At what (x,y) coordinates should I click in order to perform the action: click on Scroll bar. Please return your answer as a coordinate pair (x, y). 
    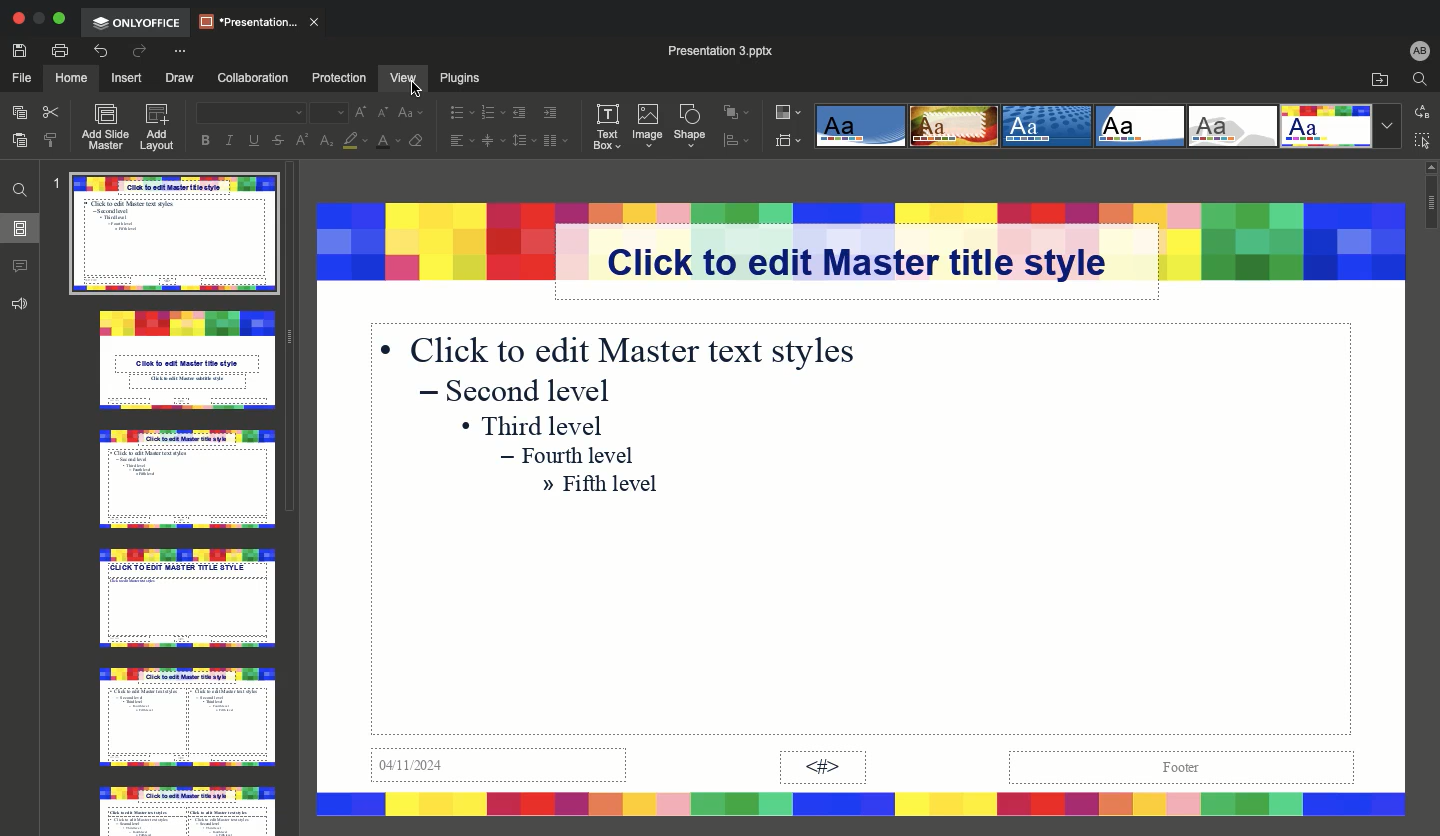
    Looking at the image, I should click on (1429, 493).